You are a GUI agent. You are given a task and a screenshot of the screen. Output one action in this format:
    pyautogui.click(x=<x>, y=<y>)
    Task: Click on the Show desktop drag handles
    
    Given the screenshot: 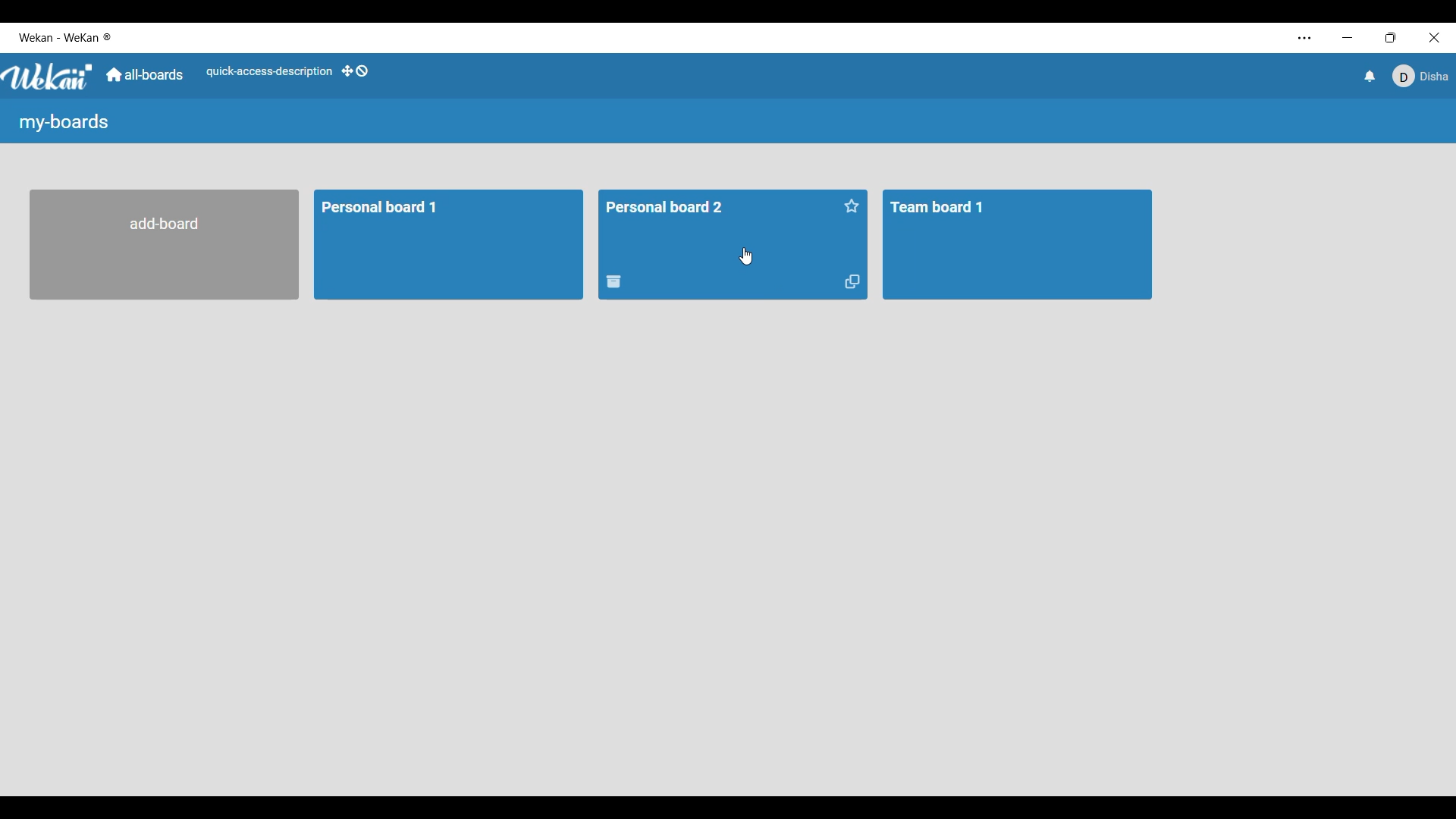 What is the action you would take?
    pyautogui.click(x=355, y=71)
    